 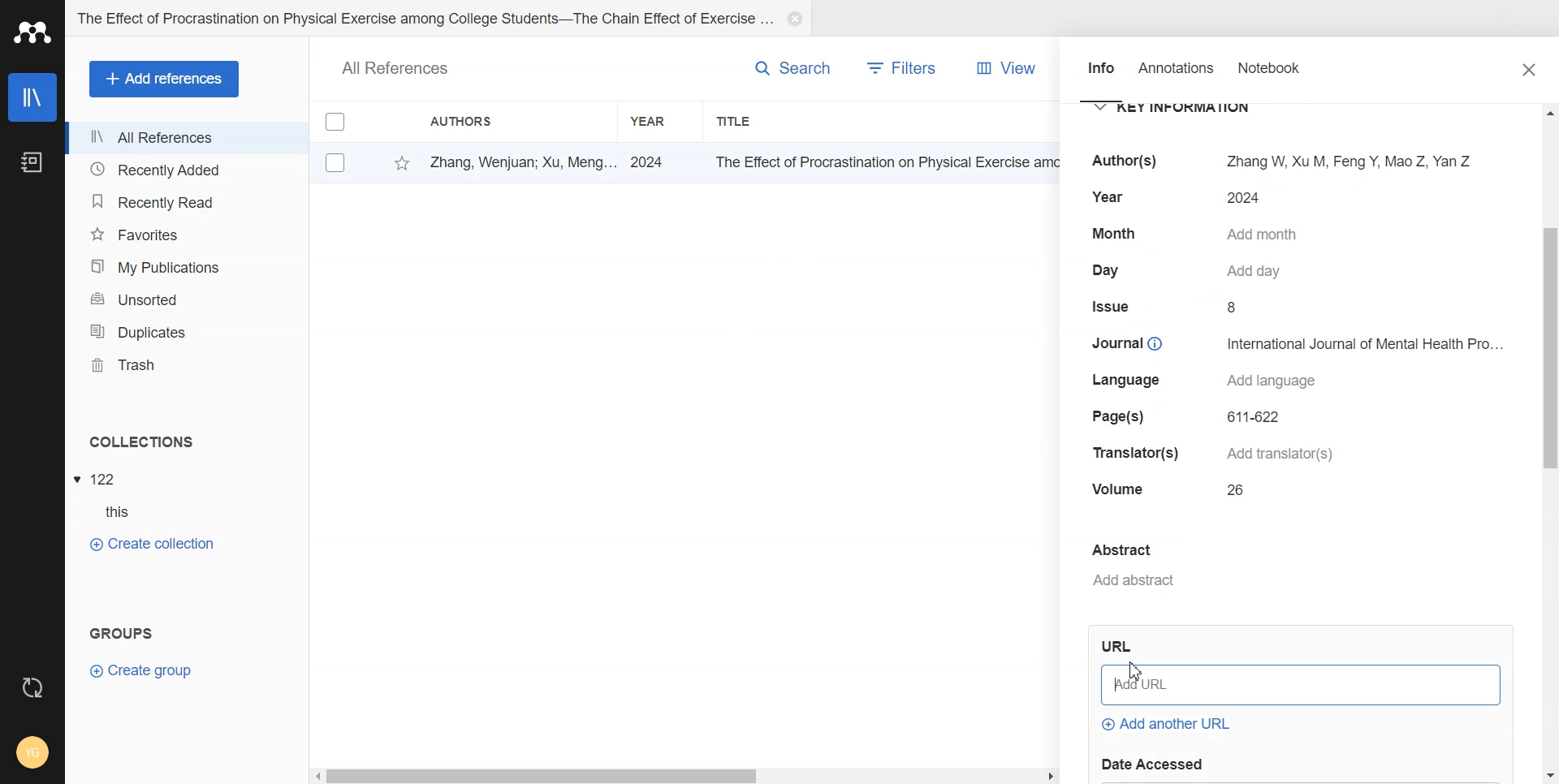 I want to click on Zhang, Wenjuan; Xu, Meng..., so click(x=518, y=161).